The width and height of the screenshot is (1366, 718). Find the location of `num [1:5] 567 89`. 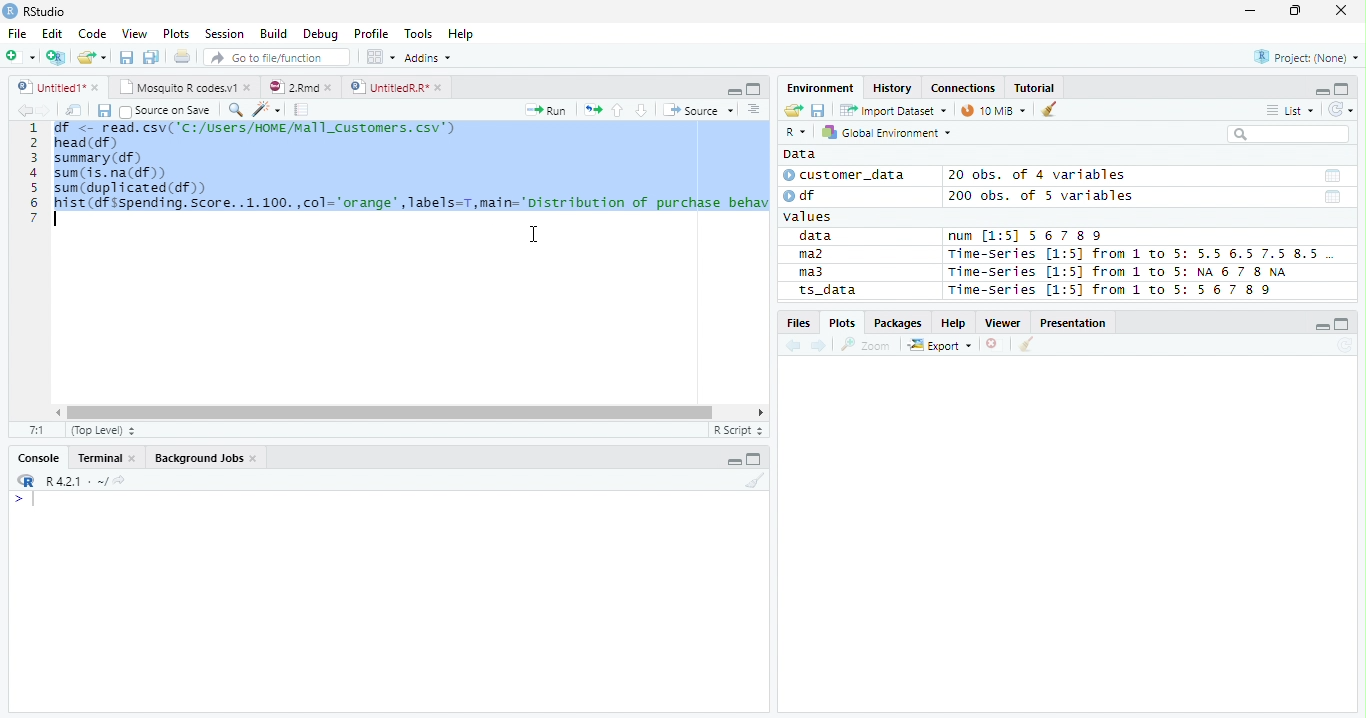

num [1:5] 567 89 is located at coordinates (1026, 236).